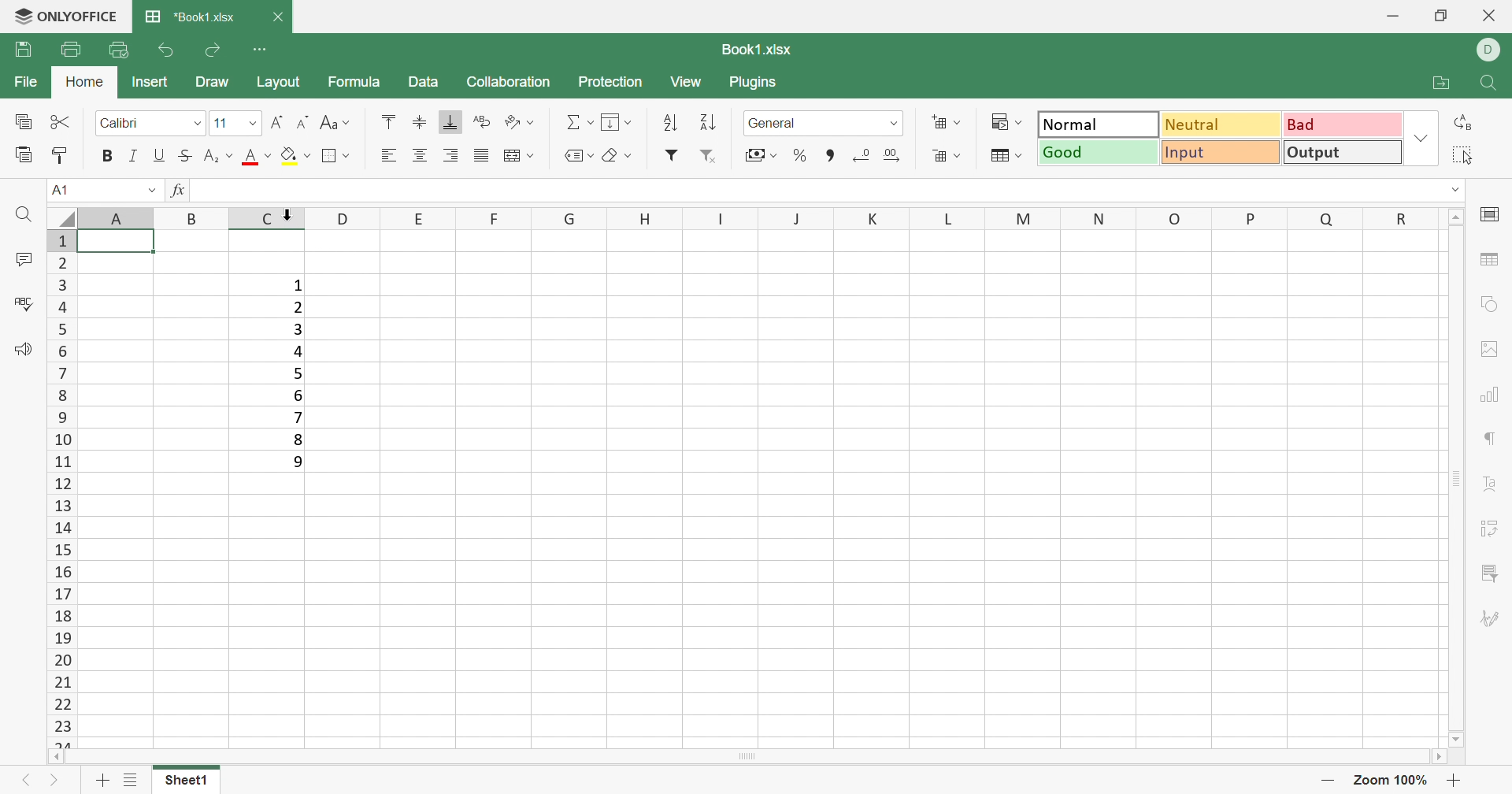  I want to click on Delete cells, so click(946, 157).